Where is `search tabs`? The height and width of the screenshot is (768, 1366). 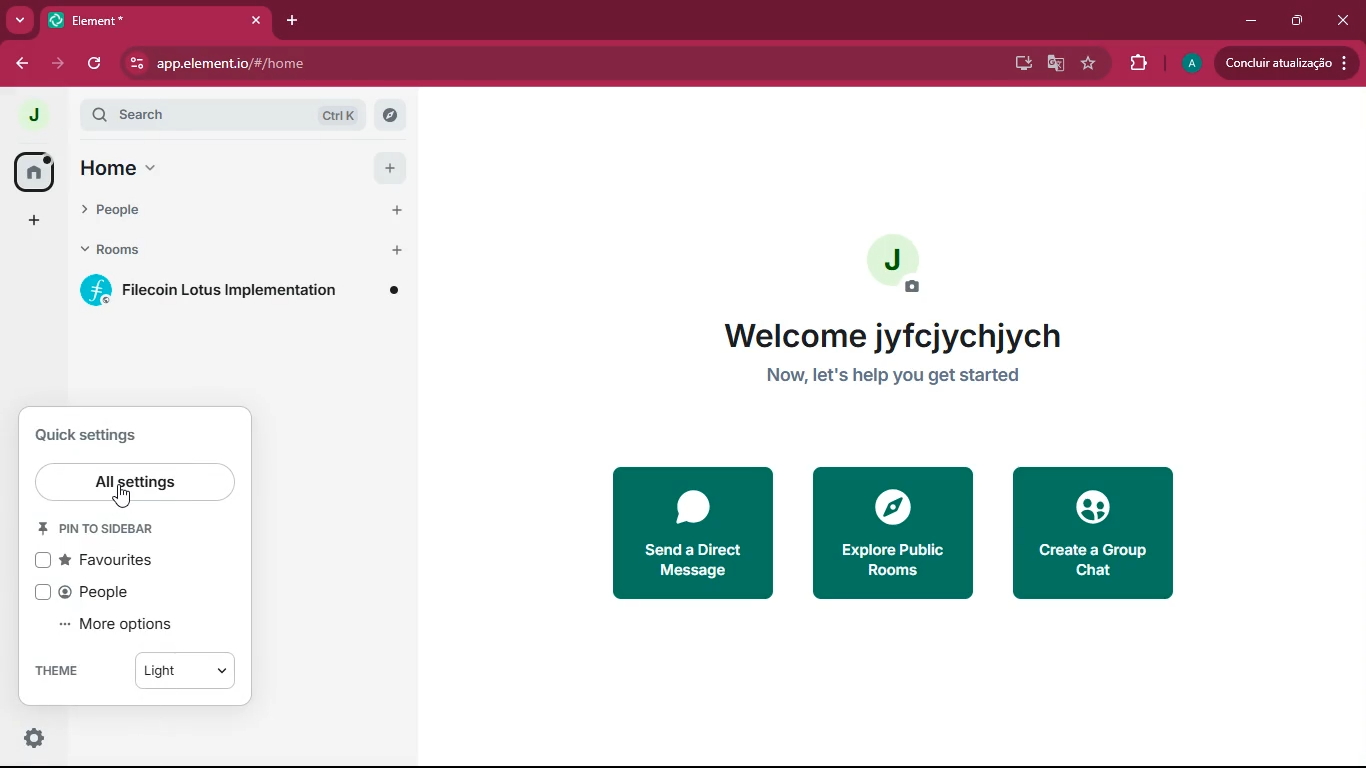
search tabs is located at coordinates (21, 22).